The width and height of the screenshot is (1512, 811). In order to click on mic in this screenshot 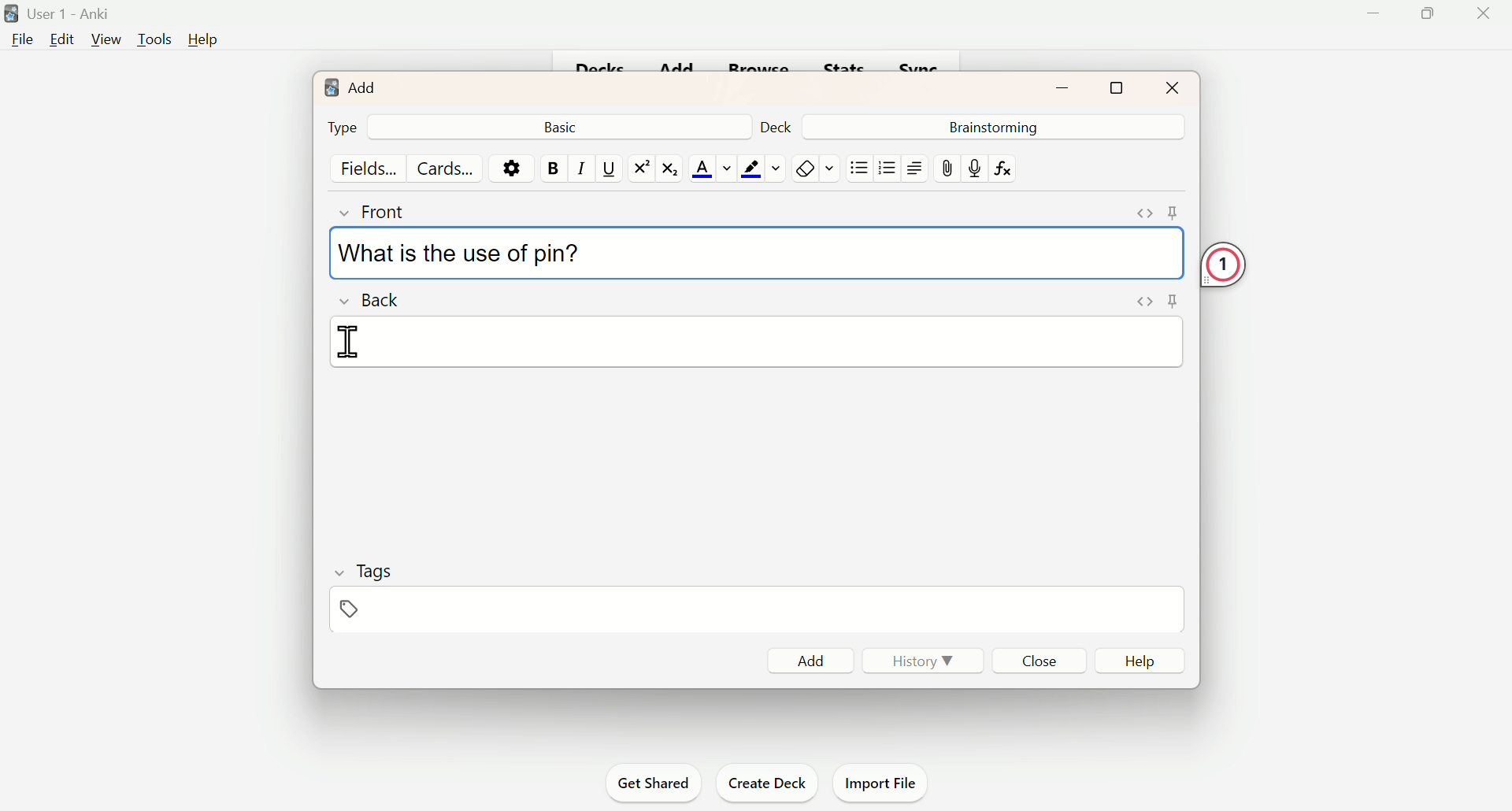, I will do `click(973, 168)`.